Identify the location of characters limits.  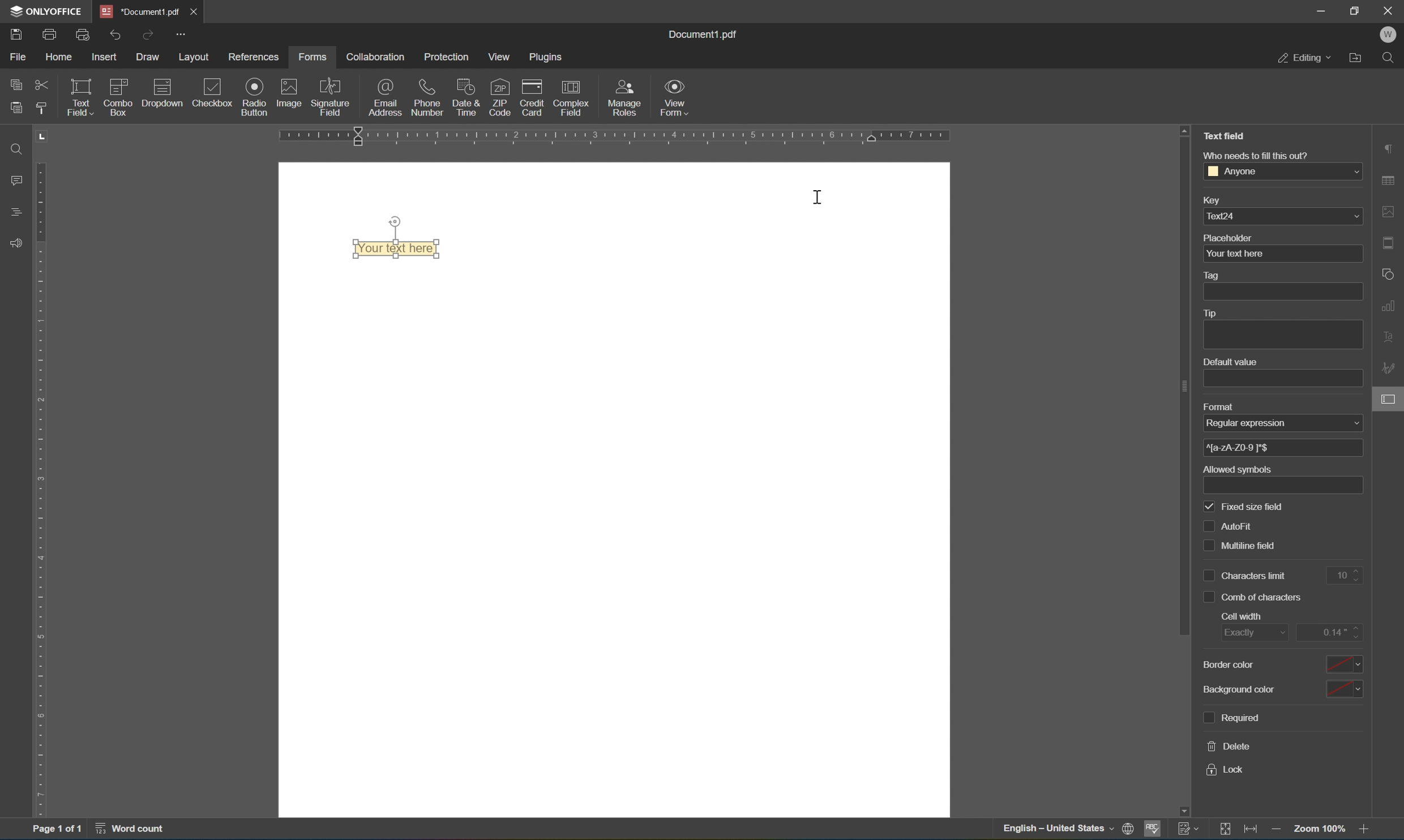
(1246, 576).